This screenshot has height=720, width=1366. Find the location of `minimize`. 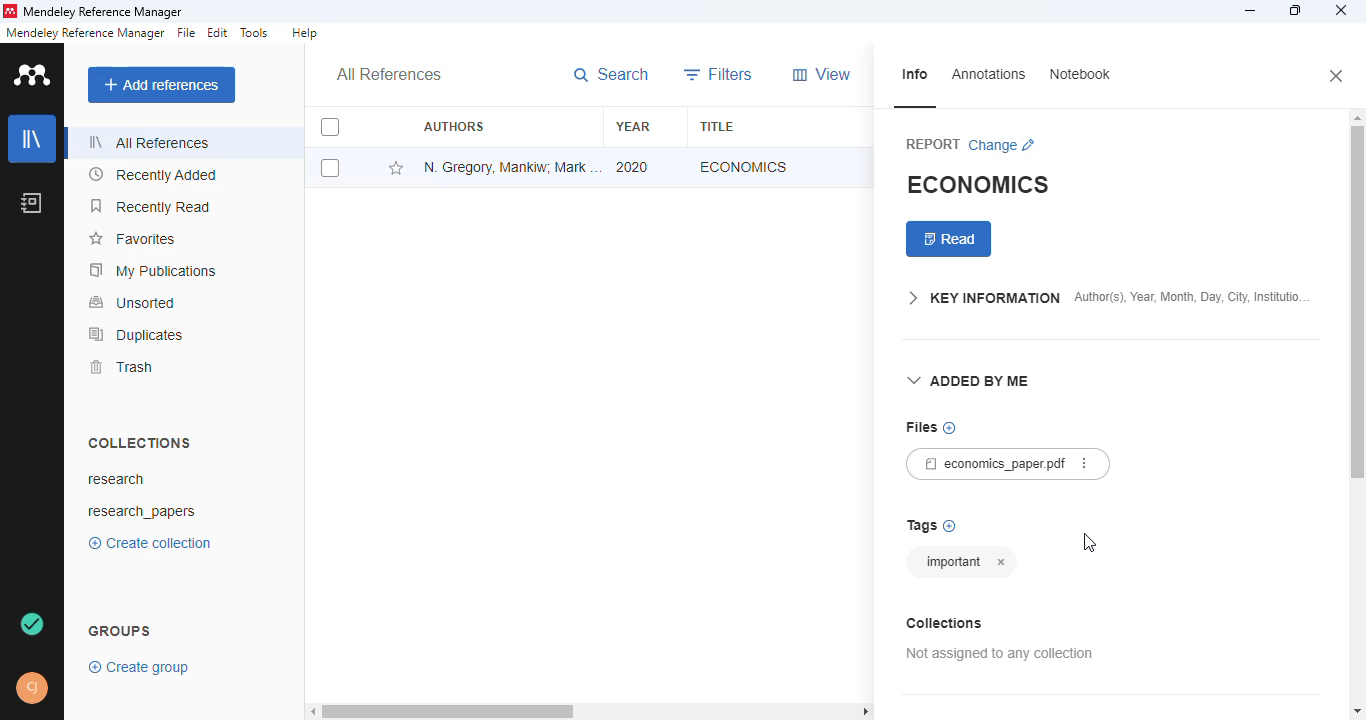

minimize is located at coordinates (1252, 10).